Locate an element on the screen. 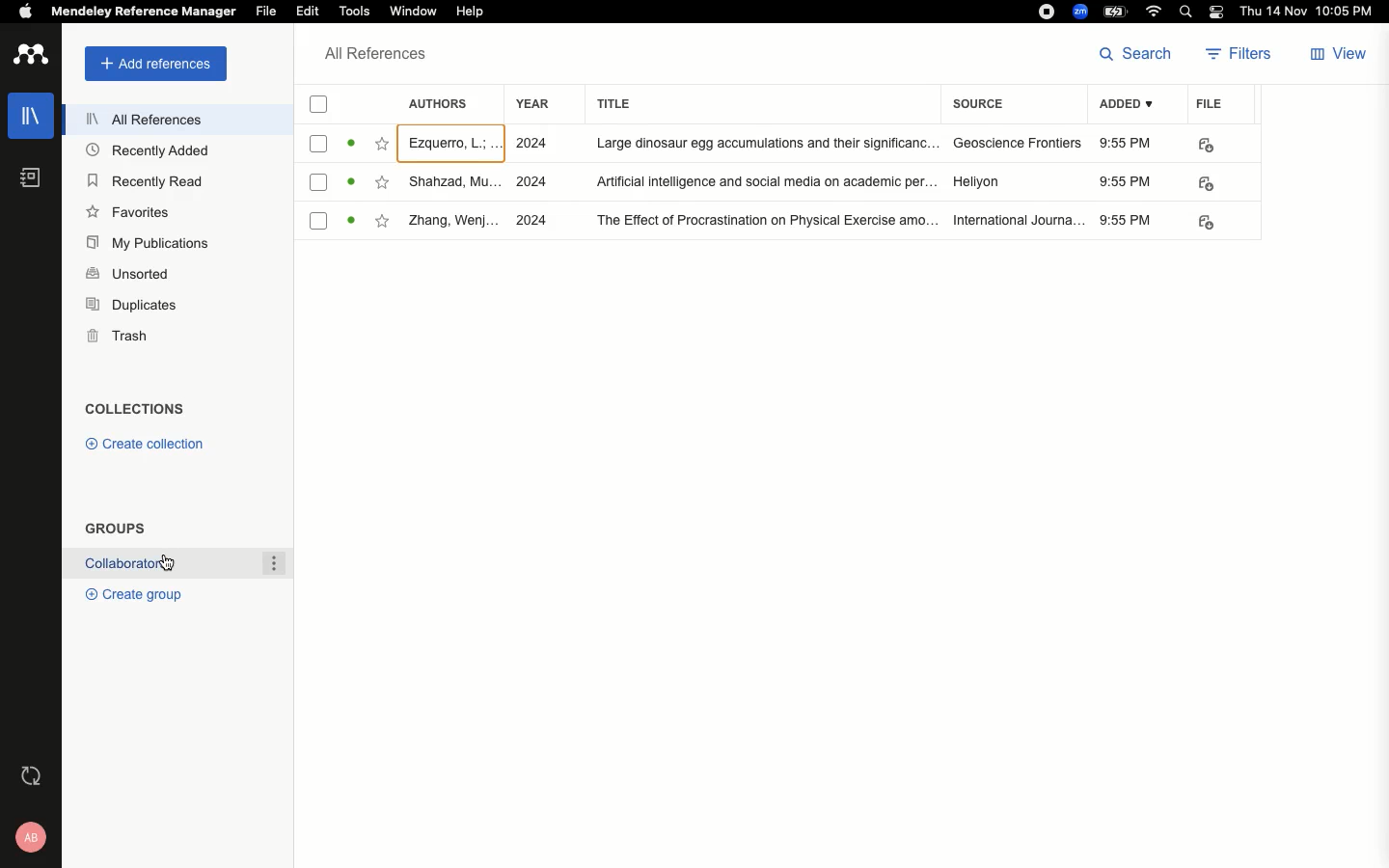 This screenshot has height=868, width=1389. Unsorted is located at coordinates (130, 271).